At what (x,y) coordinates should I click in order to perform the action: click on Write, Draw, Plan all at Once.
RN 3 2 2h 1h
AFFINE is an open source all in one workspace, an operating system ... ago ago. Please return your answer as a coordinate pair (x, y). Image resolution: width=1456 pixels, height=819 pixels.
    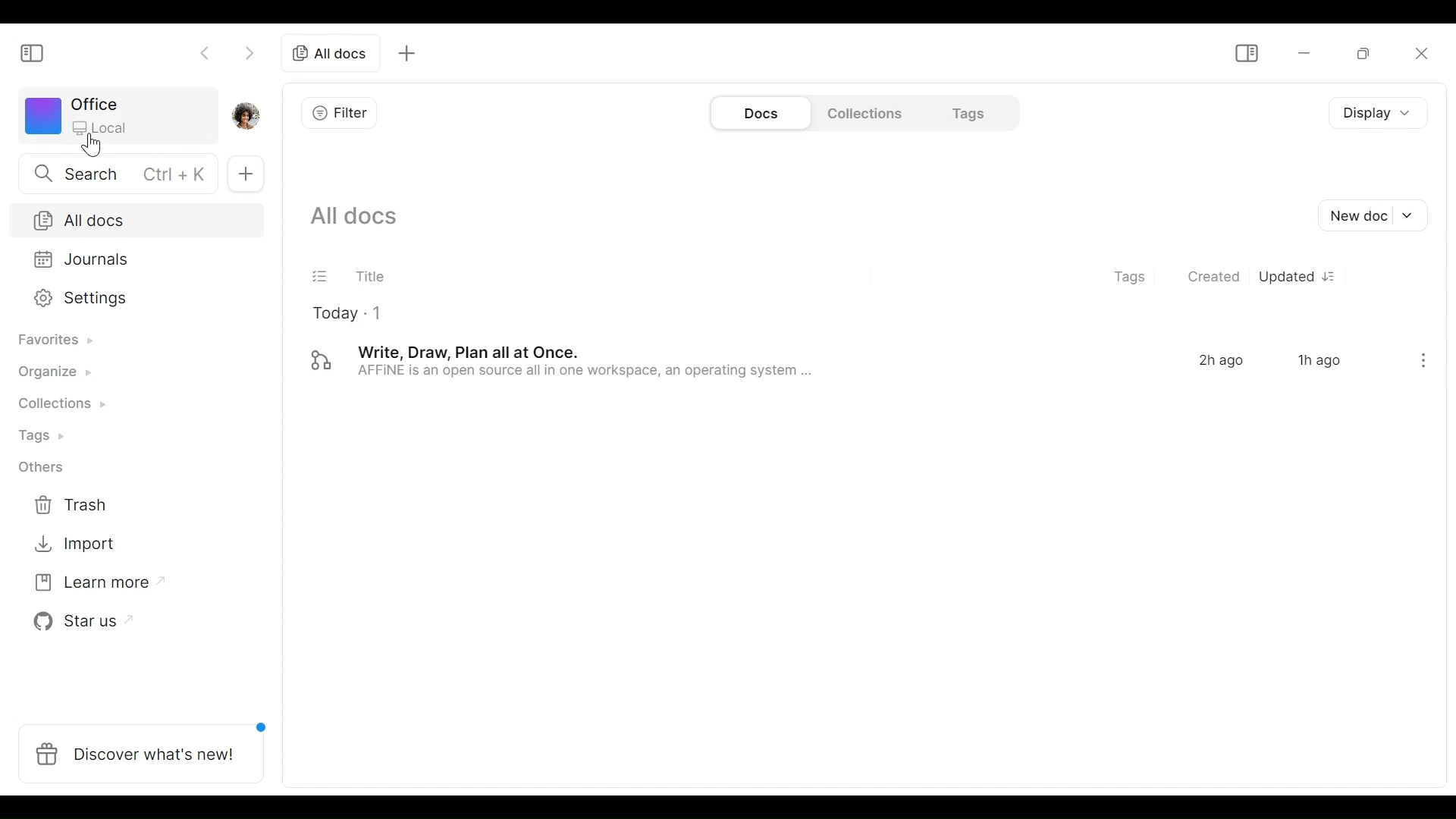
    Looking at the image, I should click on (822, 359).